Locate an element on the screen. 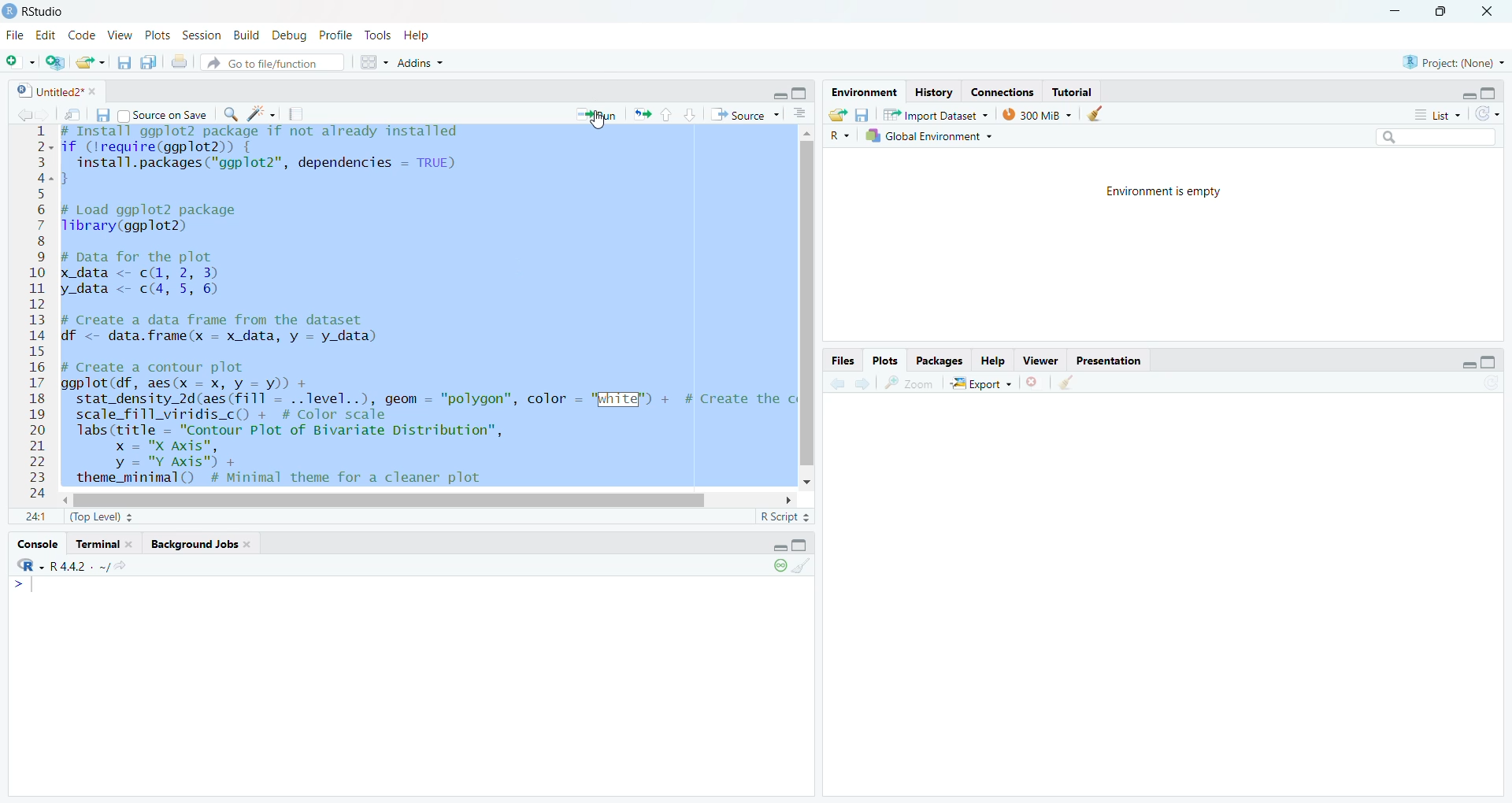 Image resolution: width=1512 pixels, height=803 pixels. typing cursor is located at coordinates (31, 587).